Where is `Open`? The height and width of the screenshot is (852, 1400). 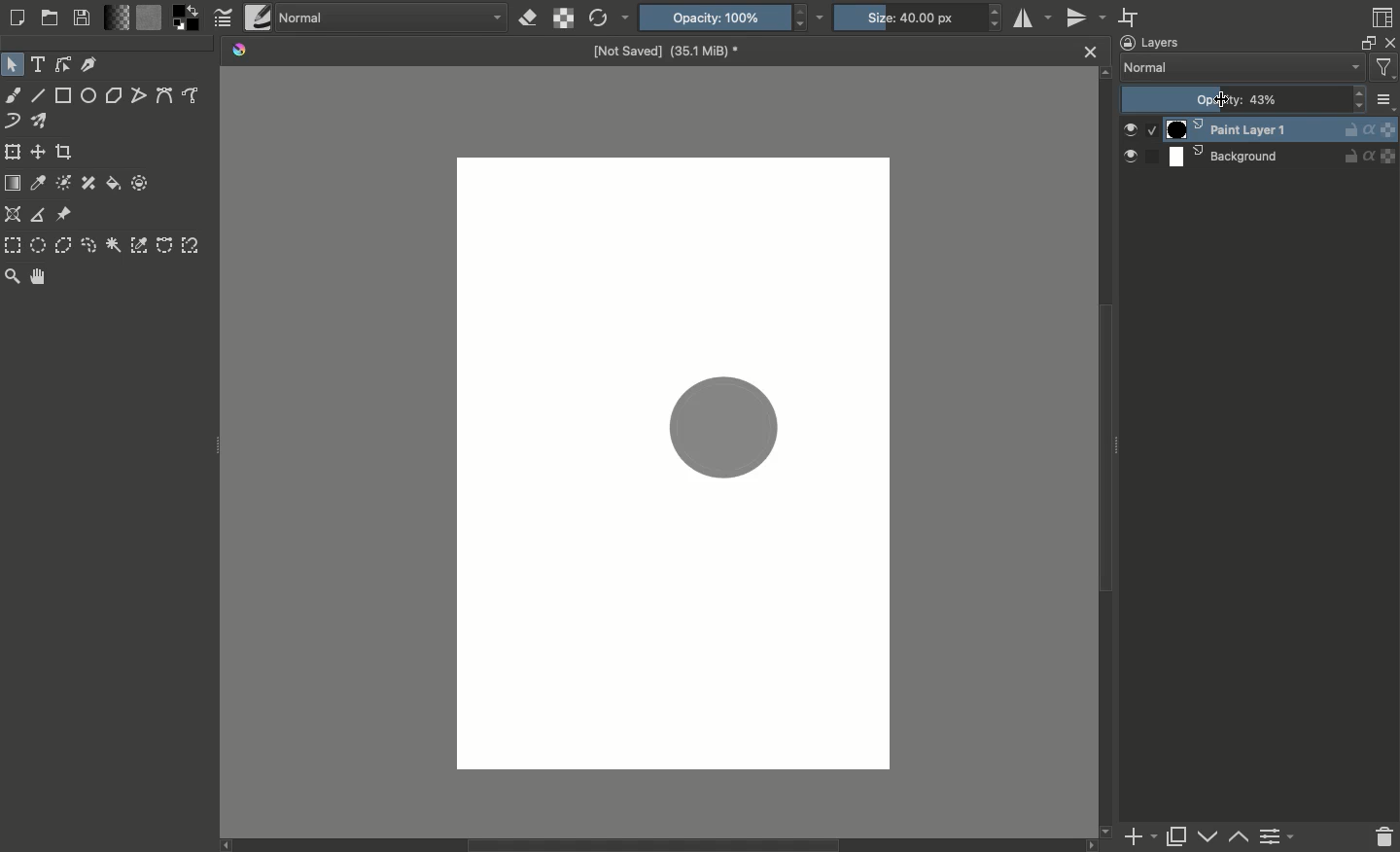
Open is located at coordinates (50, 18).